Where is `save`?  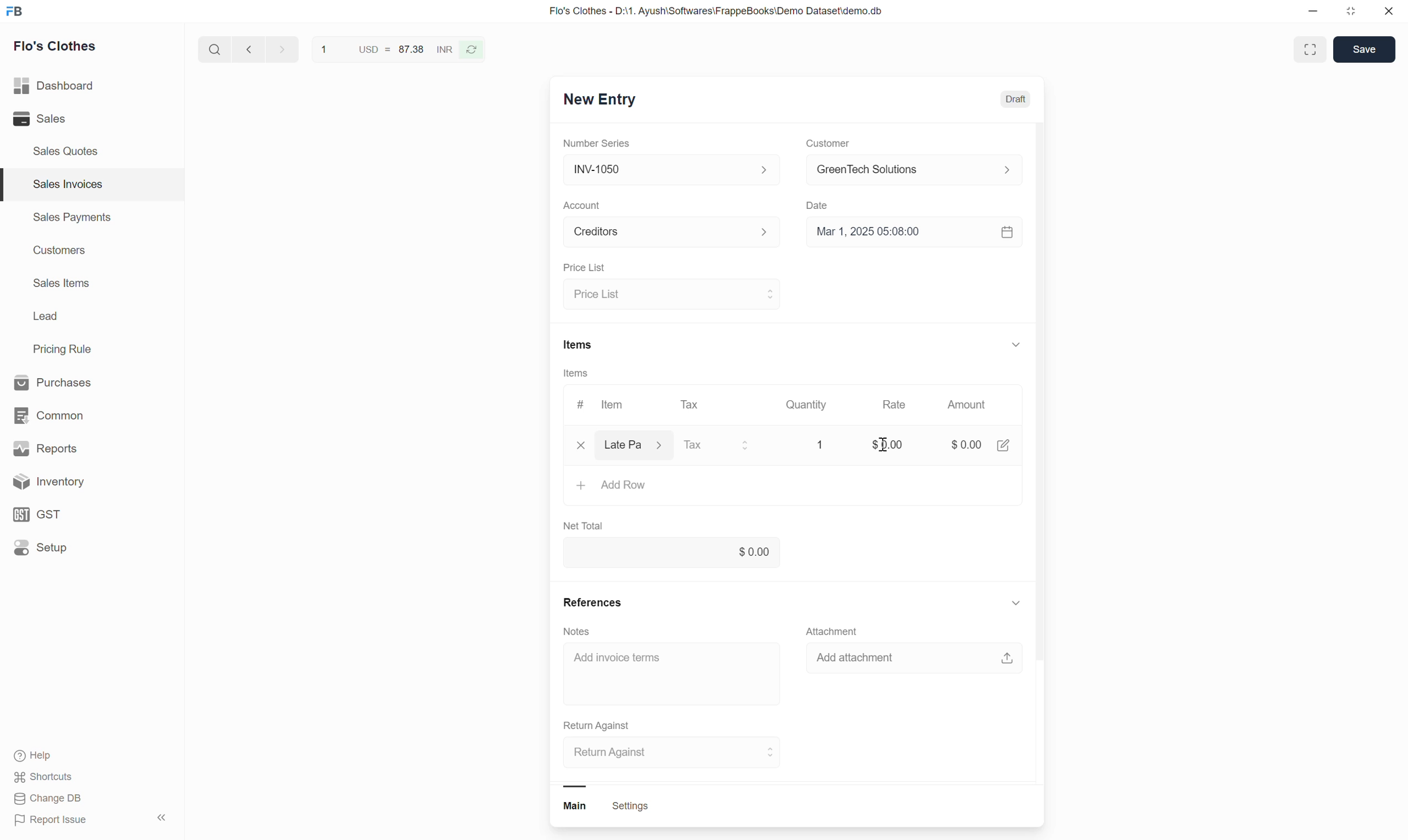 save is located at coordinates (1363, 50).